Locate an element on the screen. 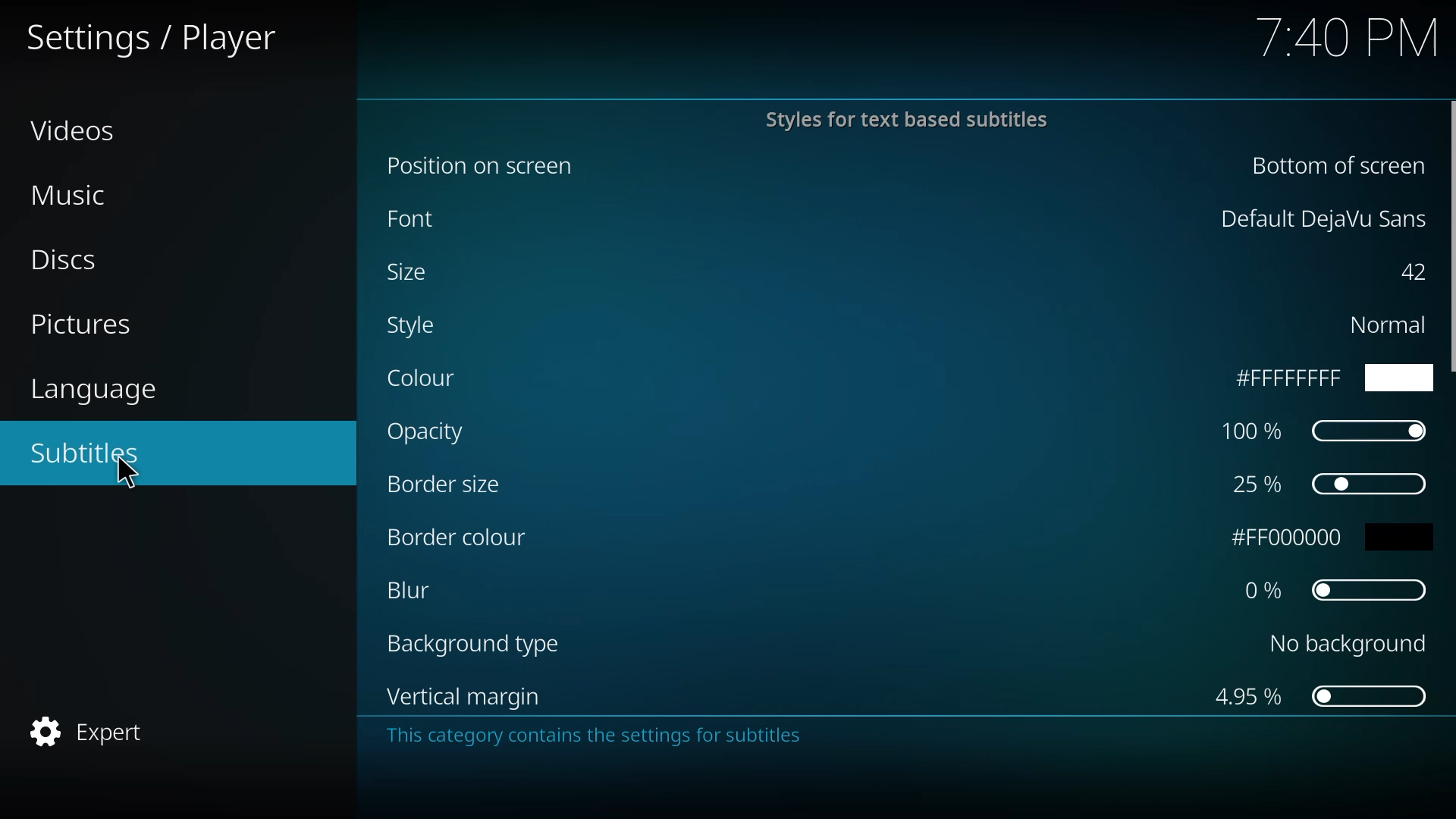  styles is located at coordinates (910, 119).